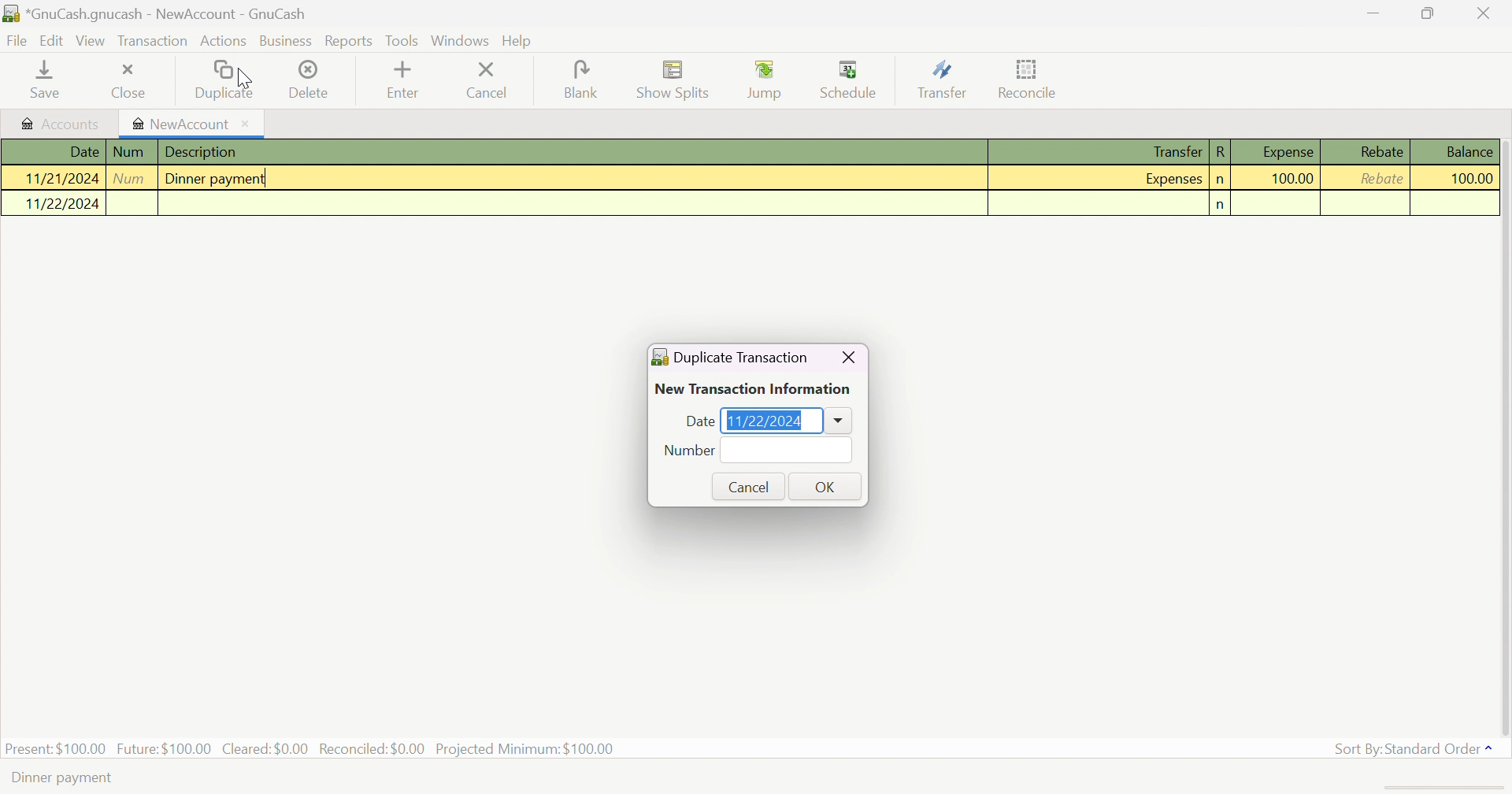 This screenshot has height=794, width=1512. What do you see at coordinates (849, 357) in the screenshot?
I see `Close` at bounding box center [849, 357].